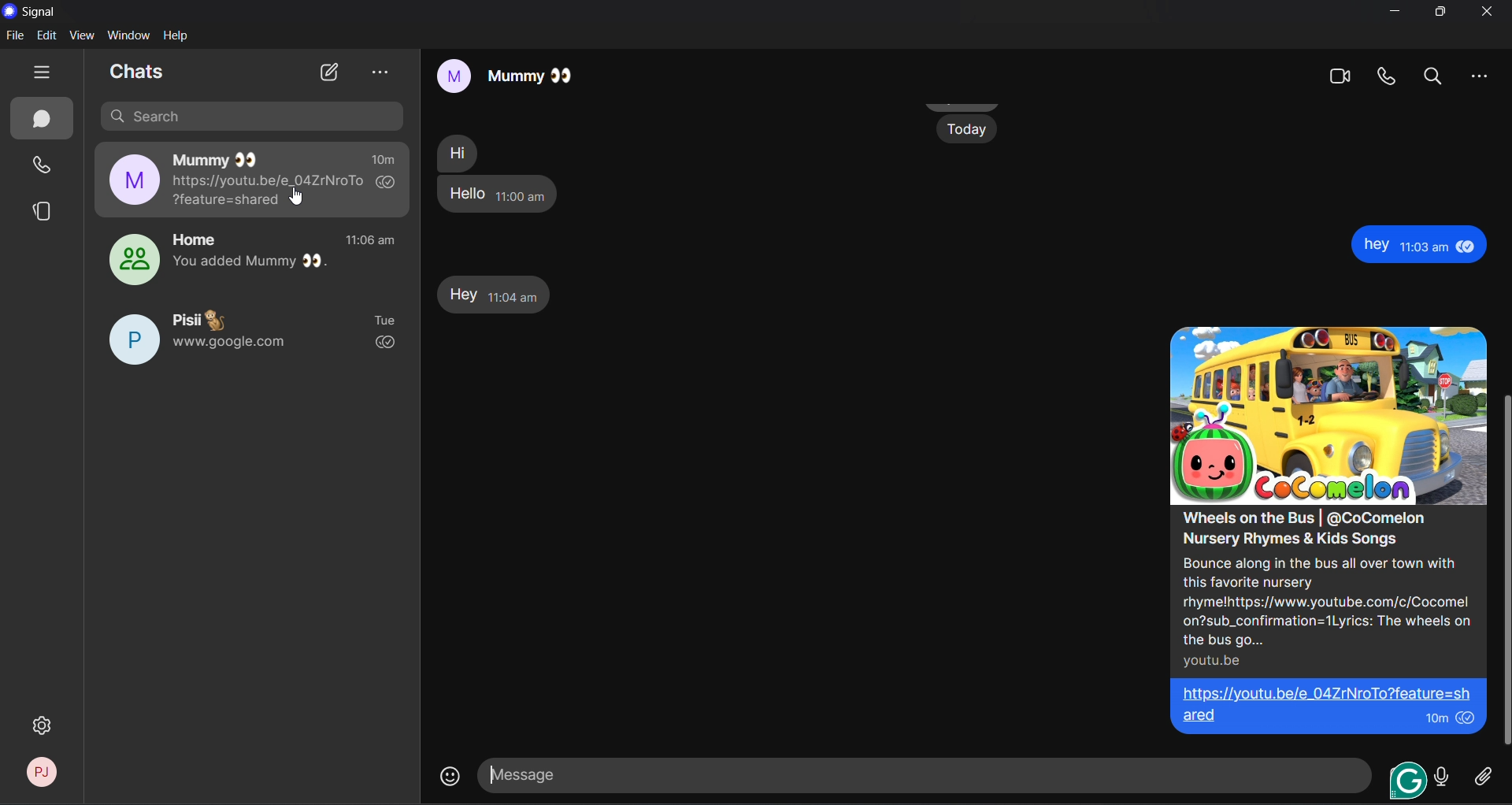  Describe the element at coordinates (460, 150) in the screenshot. I see `hi` at that location.